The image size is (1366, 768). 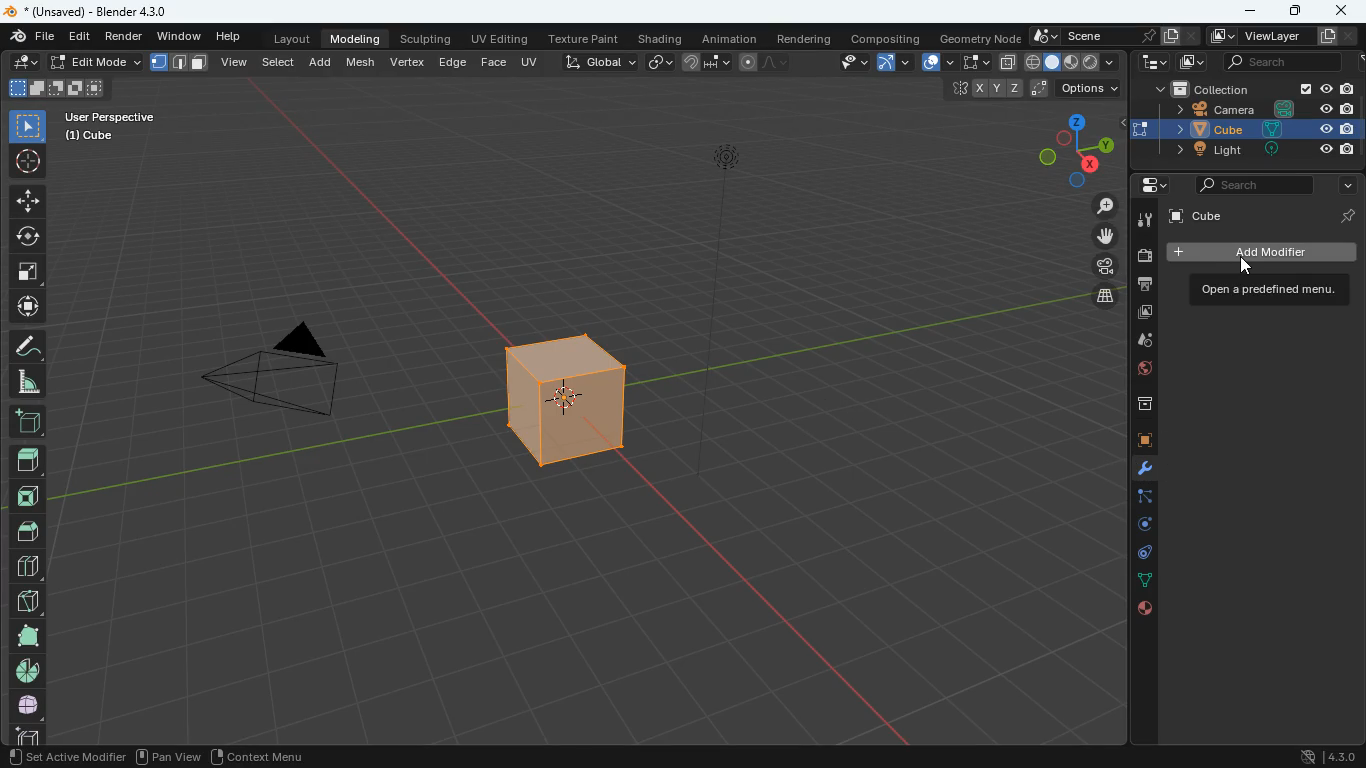 What do you see at coordinates (1146, 187) in the screenshot?
I see `settings` at bounding box center [1146, 187].